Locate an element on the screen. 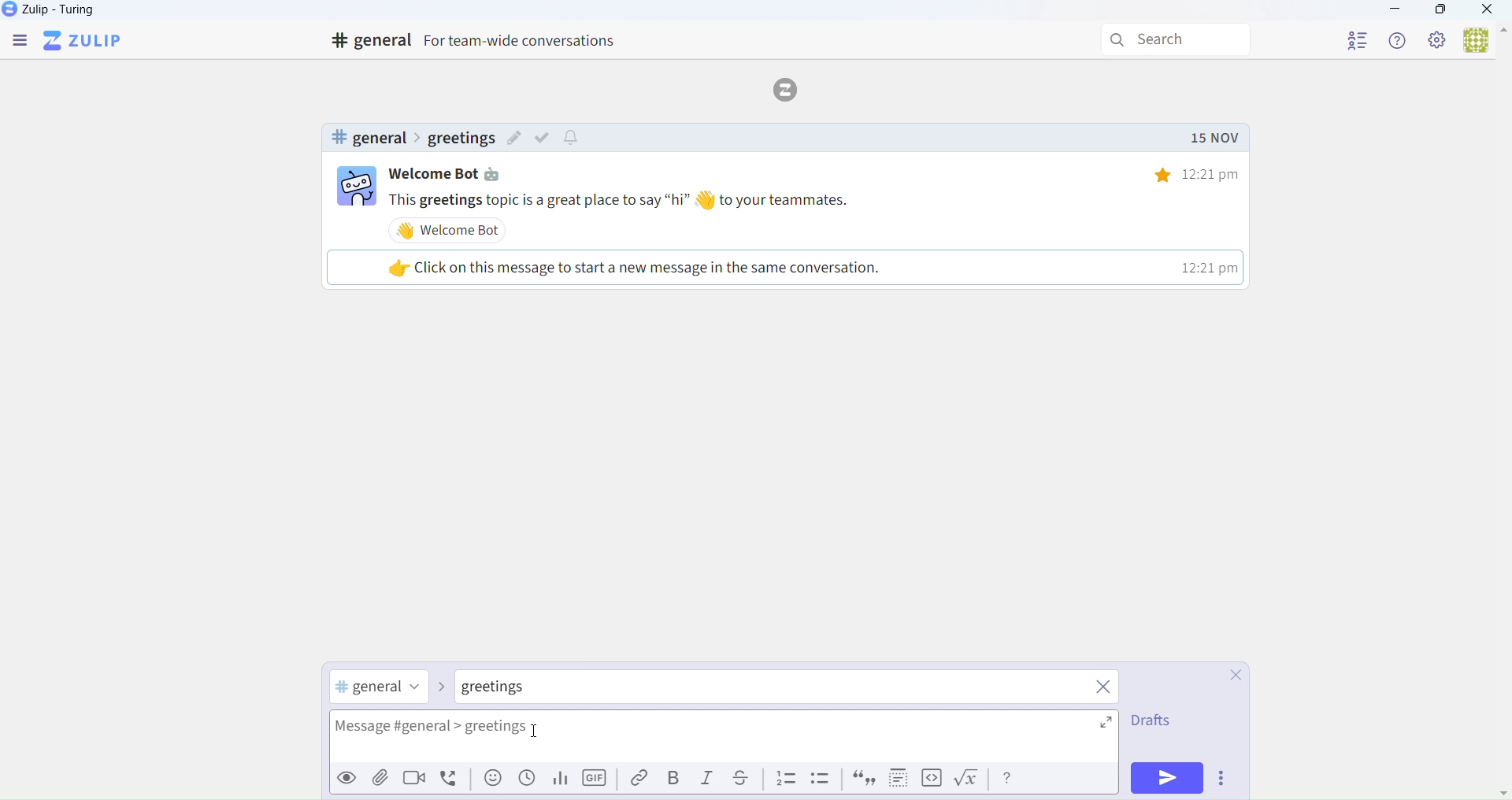 This screenshot has height=800, width=1512. Logo is located at coordinates (791, 88).